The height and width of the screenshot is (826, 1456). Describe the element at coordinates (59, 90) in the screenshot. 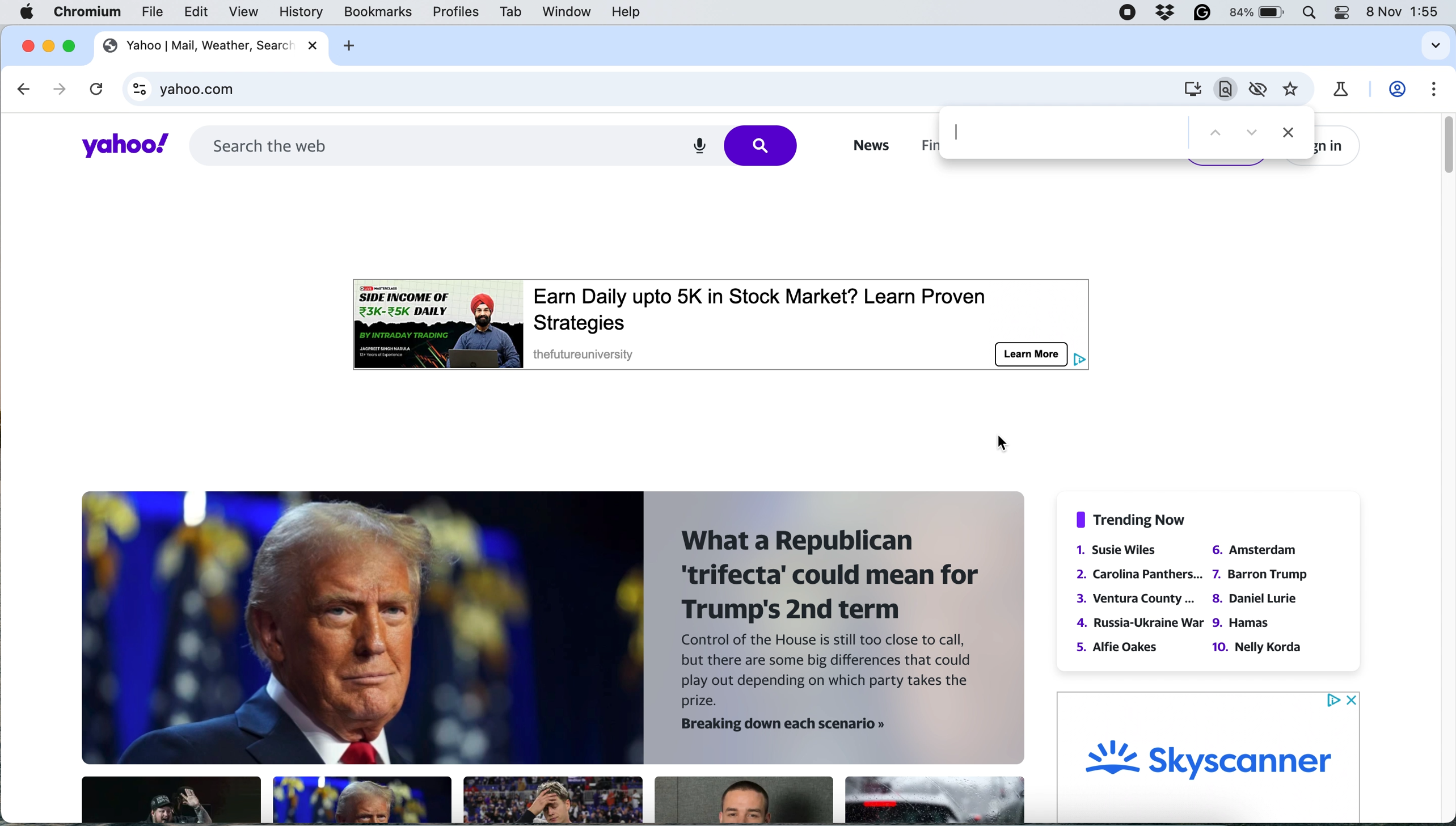

I see `go forward` at that location.